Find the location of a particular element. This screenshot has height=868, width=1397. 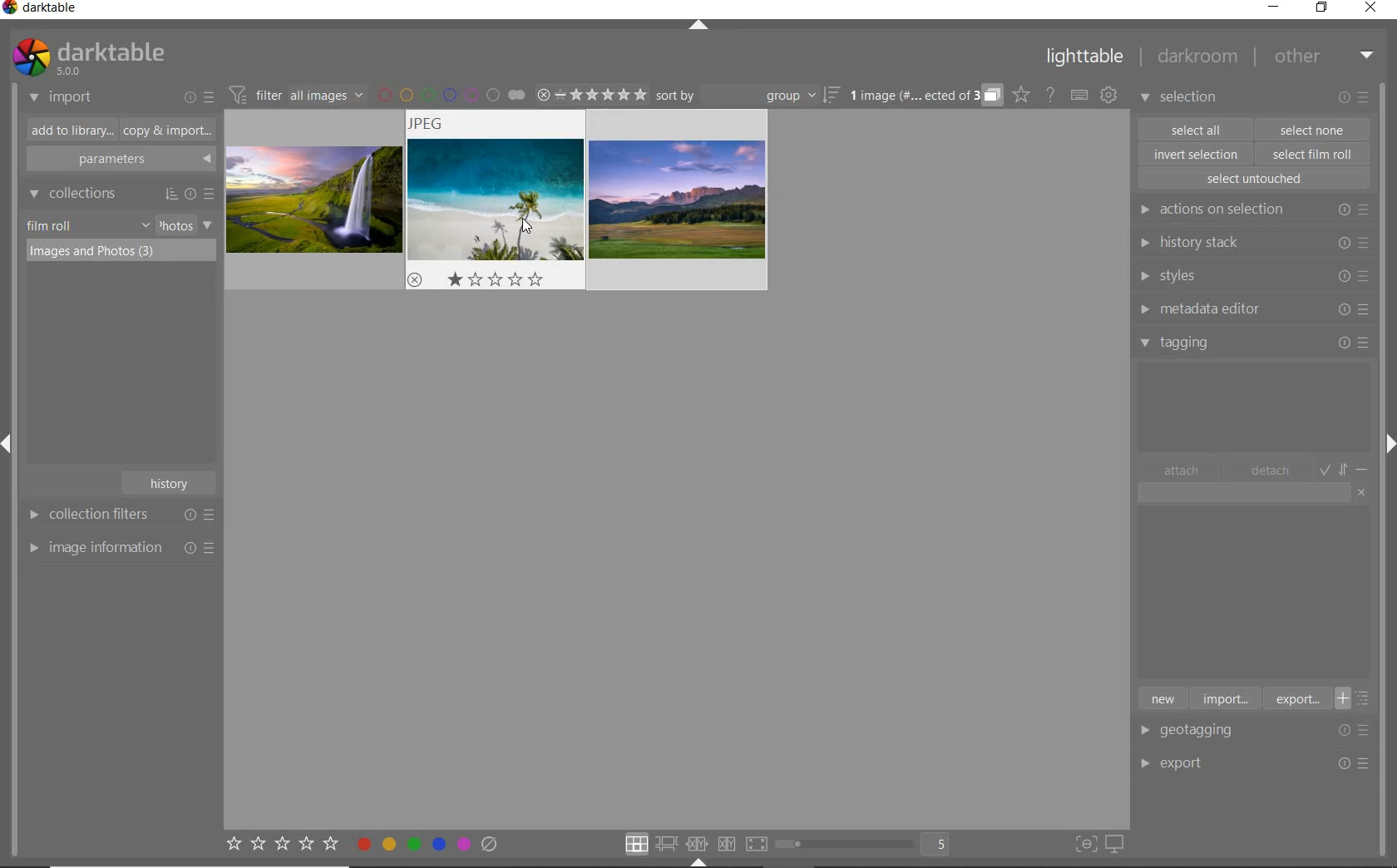

Options is located at coordinates (1355, 764).